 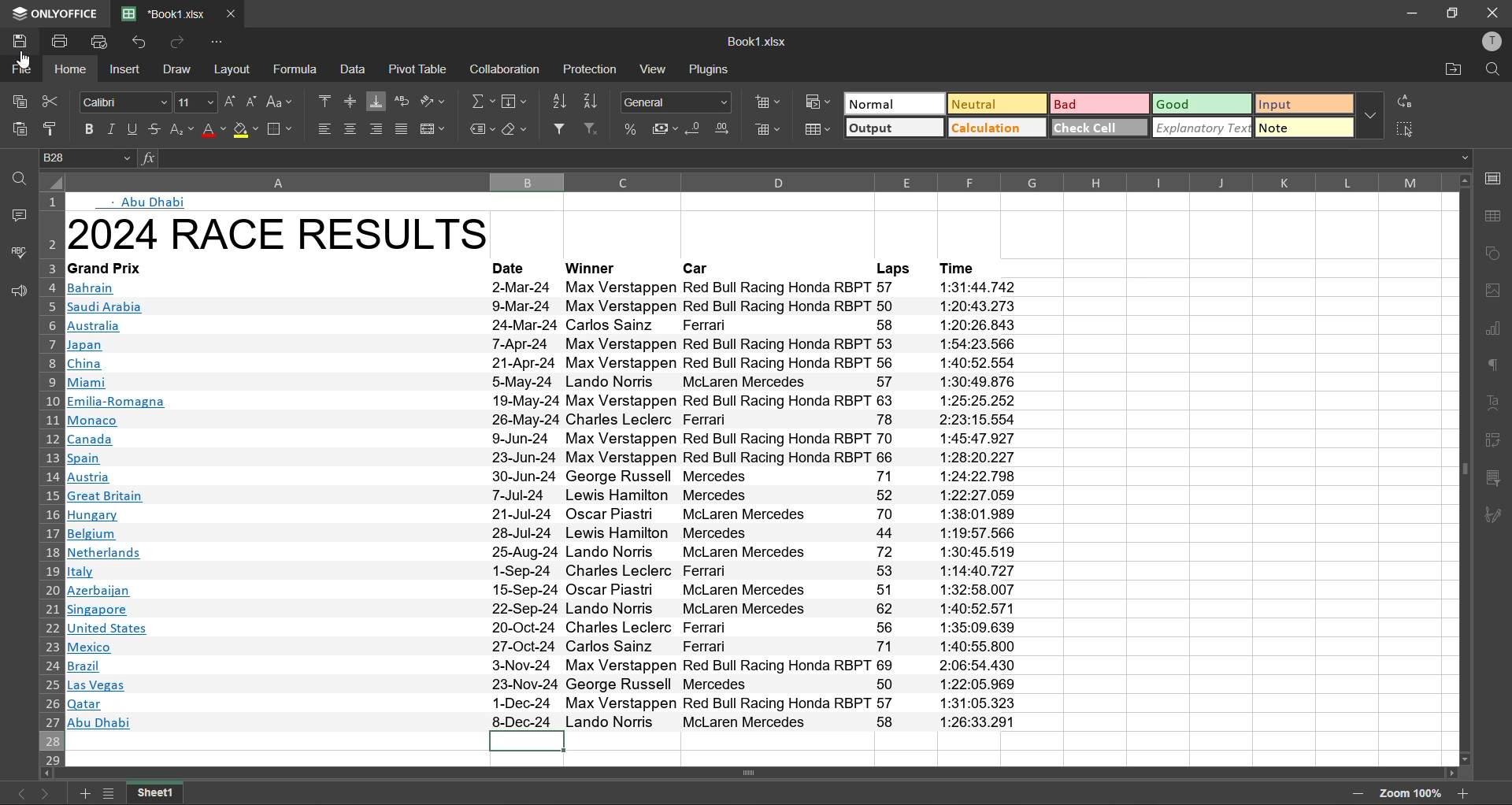 I want to click on field, so click(x=516, y=102).